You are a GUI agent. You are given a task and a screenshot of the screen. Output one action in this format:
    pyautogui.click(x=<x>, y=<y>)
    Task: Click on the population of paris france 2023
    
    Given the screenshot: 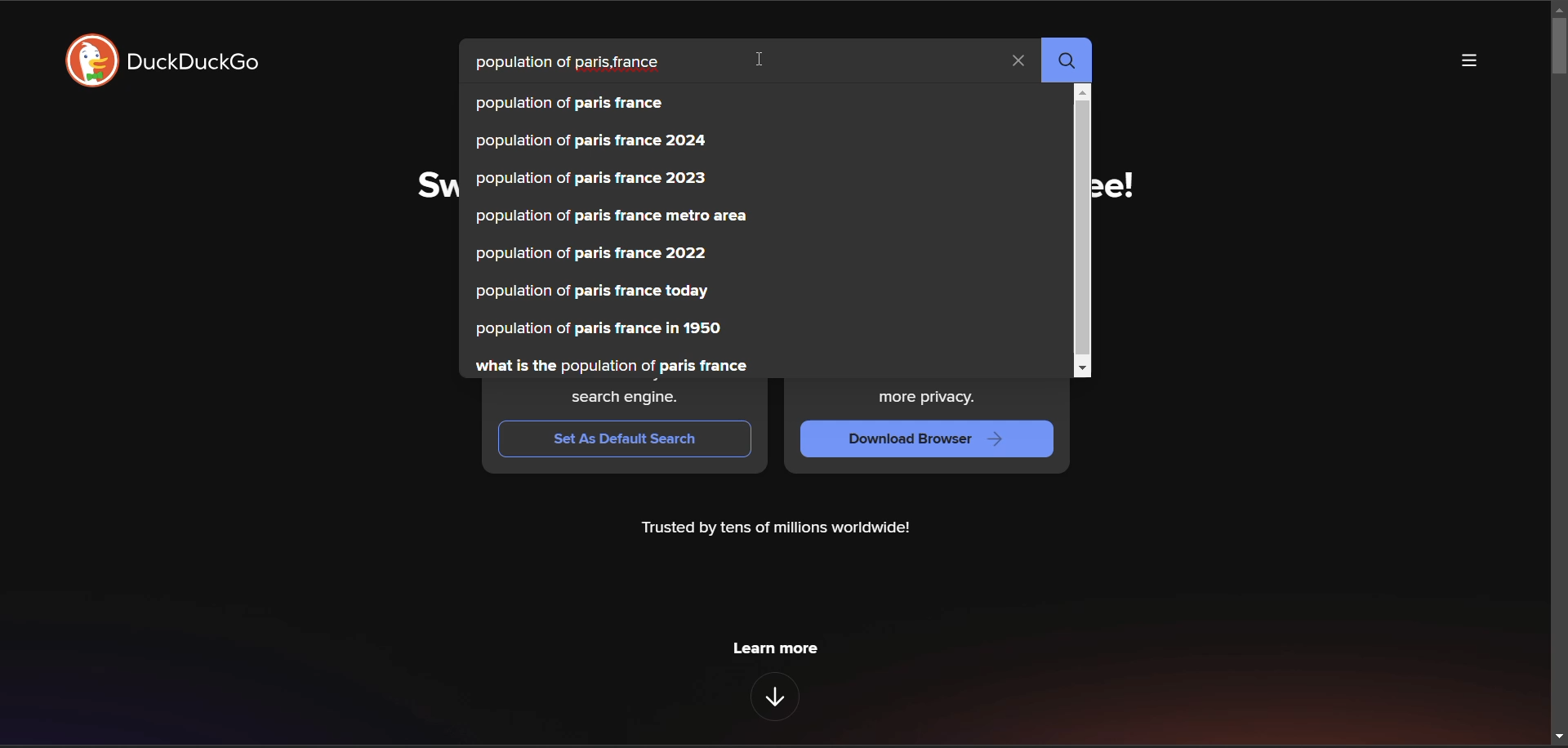 What is the action you would take?
    pyautogui.click(x=589, y=183)
    